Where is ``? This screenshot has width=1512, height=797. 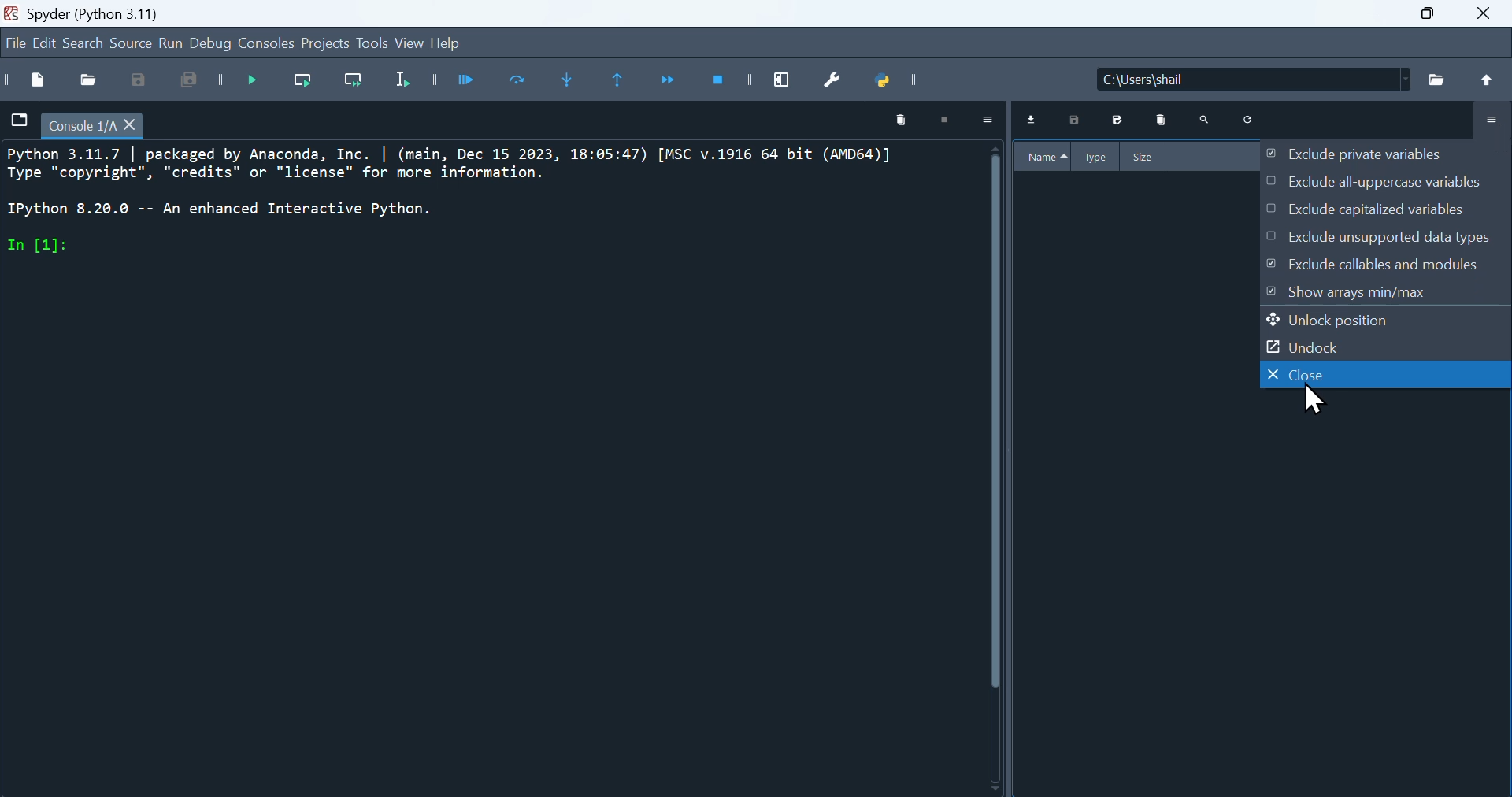  is located at coordinates (13, 44).